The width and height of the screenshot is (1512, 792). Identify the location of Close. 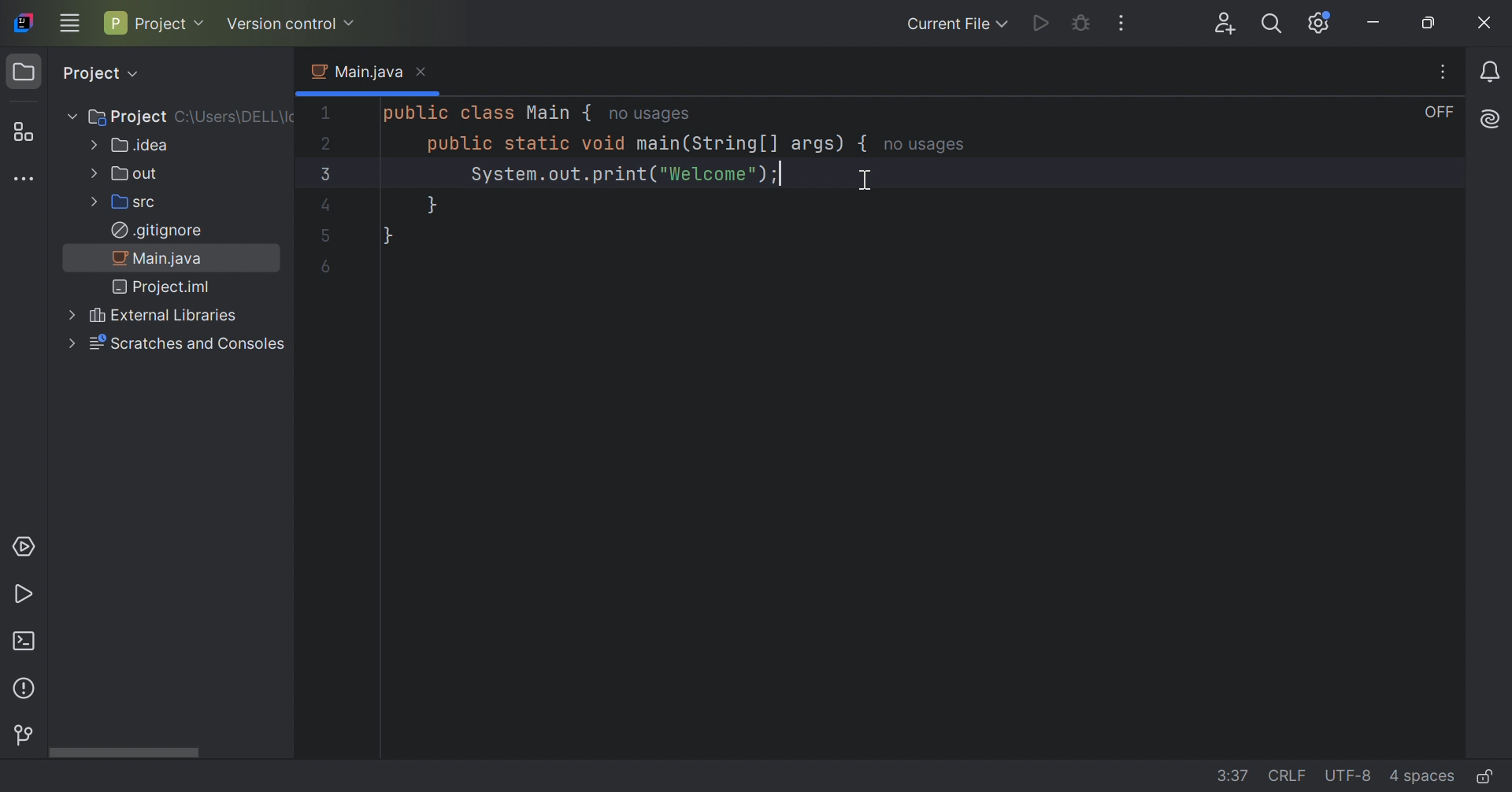
(1484, 23).